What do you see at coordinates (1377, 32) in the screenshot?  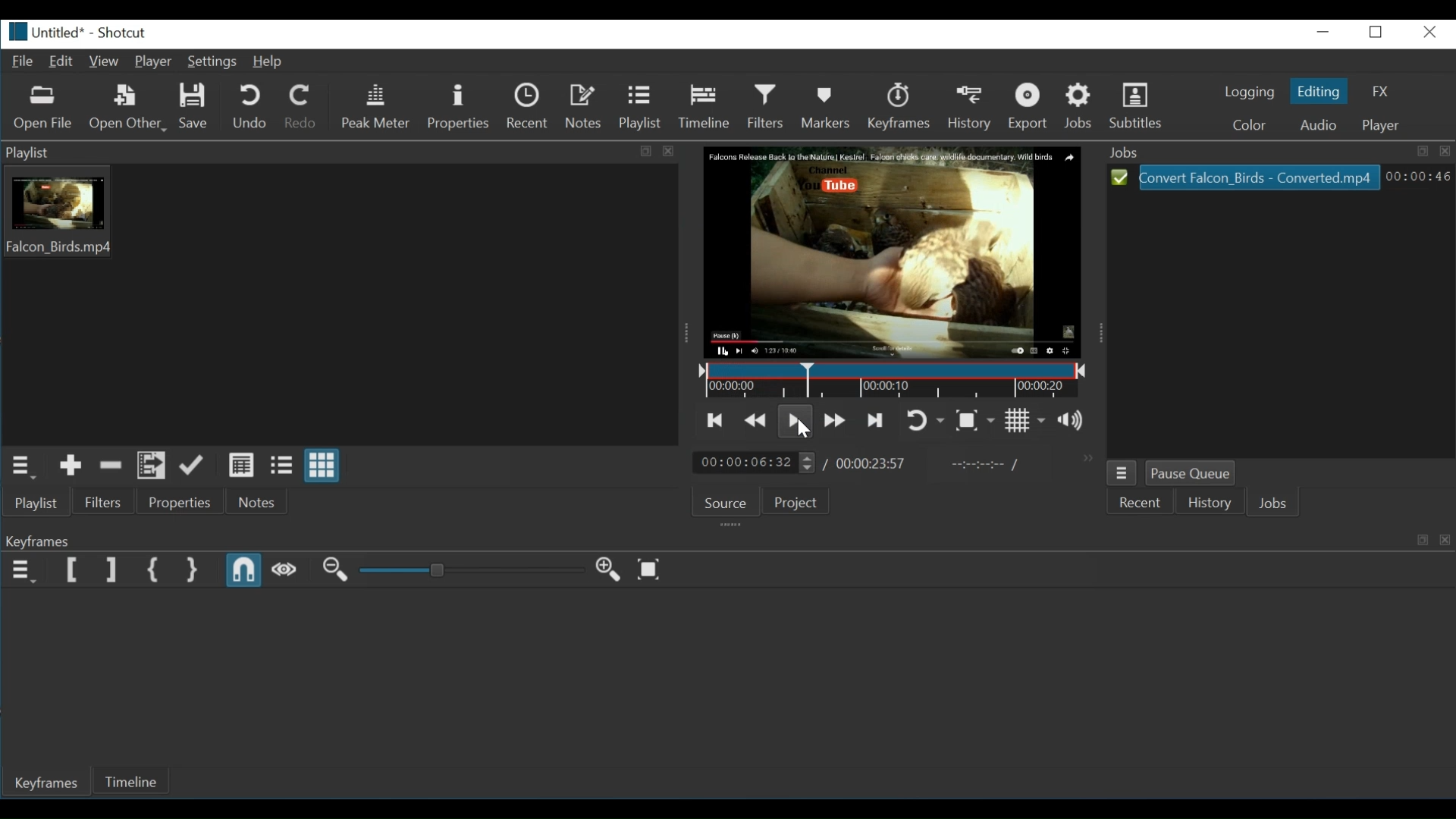 I see `maximize` at bounding box center [1377, 32].